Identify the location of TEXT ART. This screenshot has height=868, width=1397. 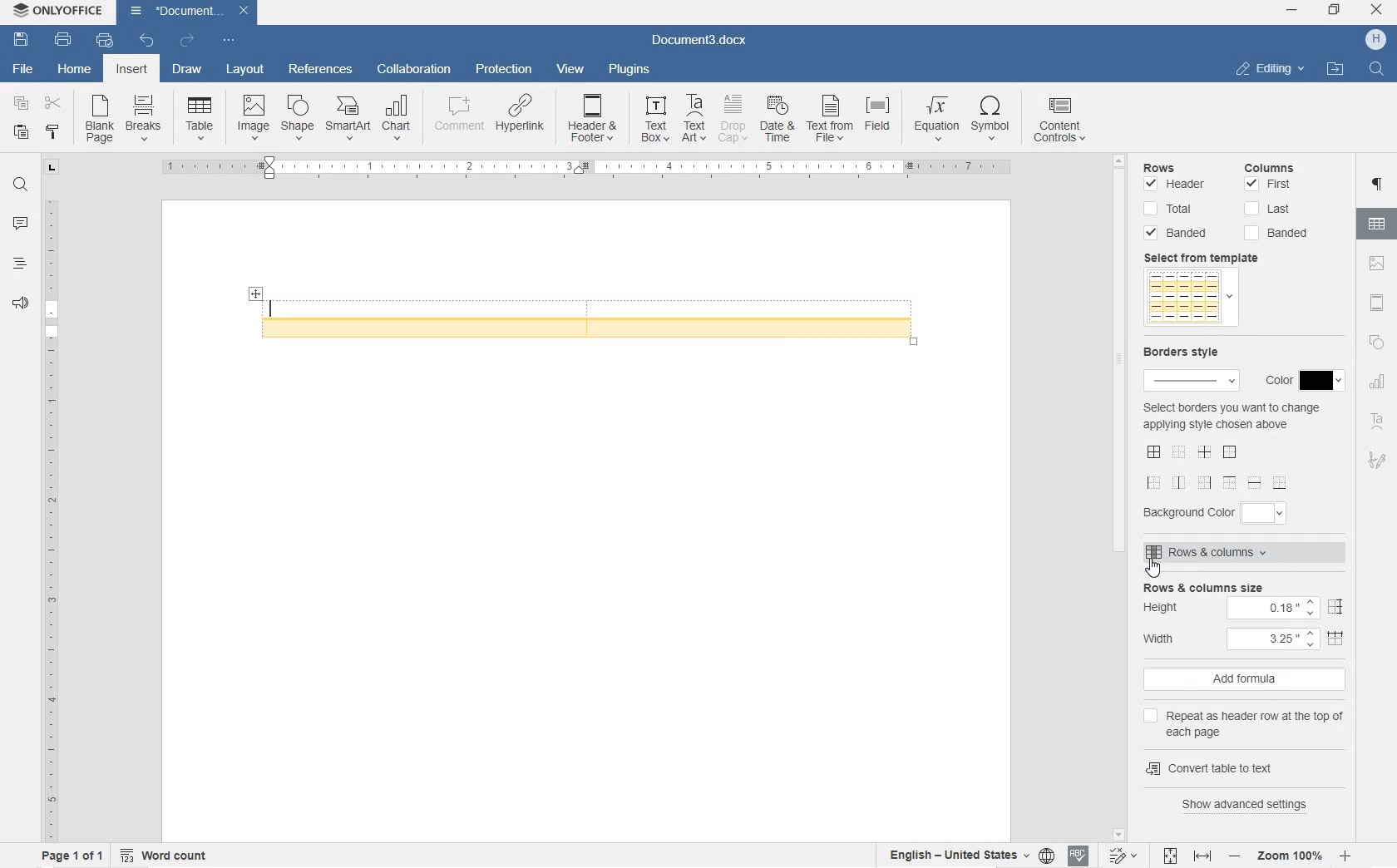
(1378, 423).